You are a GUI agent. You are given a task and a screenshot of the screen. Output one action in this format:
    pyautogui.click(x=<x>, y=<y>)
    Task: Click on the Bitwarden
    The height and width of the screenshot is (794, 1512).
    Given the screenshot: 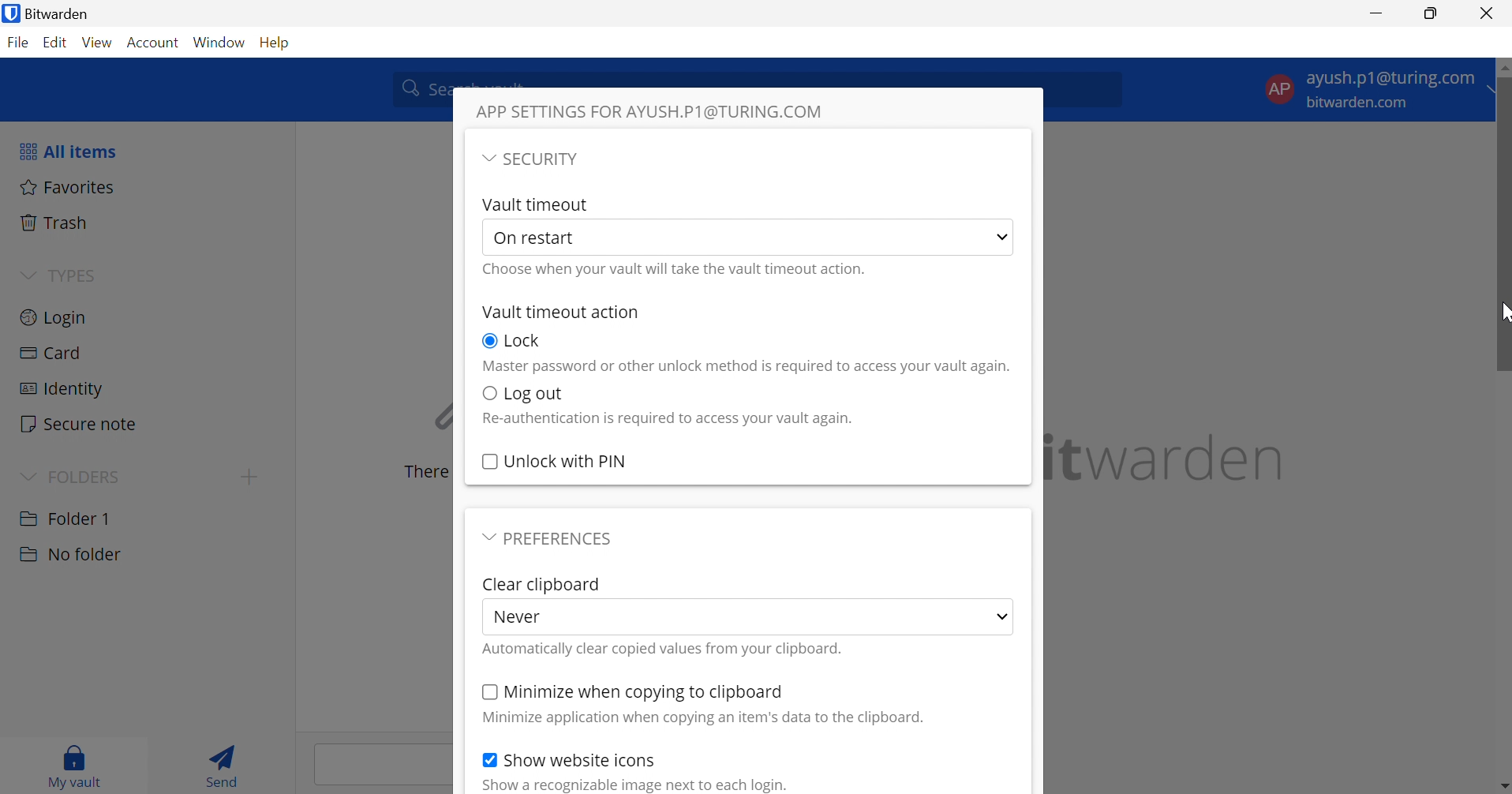 What is the action you would take?
    pyautogui.click(x=63, y=13)
    